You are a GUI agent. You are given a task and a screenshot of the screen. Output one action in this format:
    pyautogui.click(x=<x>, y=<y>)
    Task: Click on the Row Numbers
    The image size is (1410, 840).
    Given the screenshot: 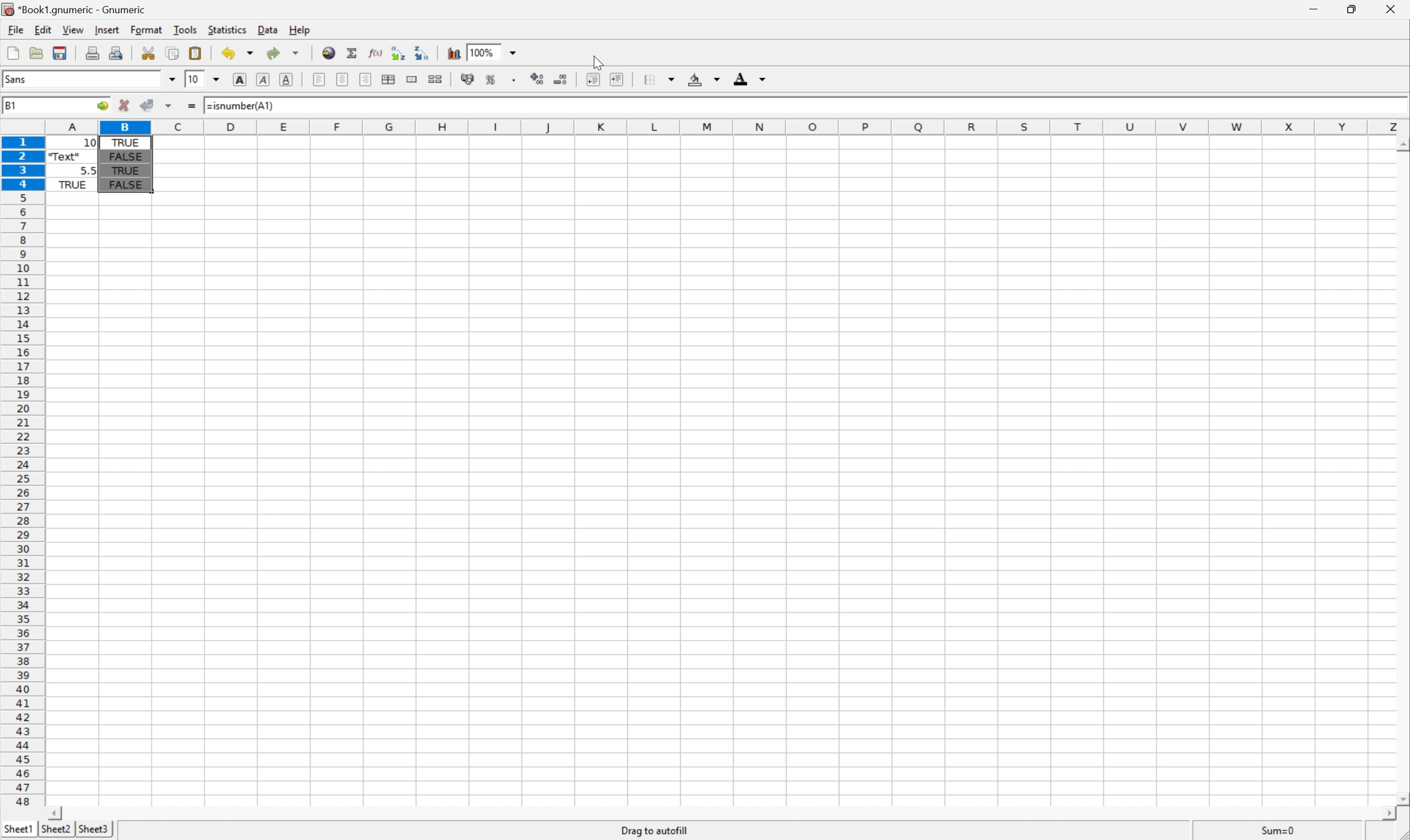 What is the action you would take?
    pyautogui.click(x=21, y=473)
    